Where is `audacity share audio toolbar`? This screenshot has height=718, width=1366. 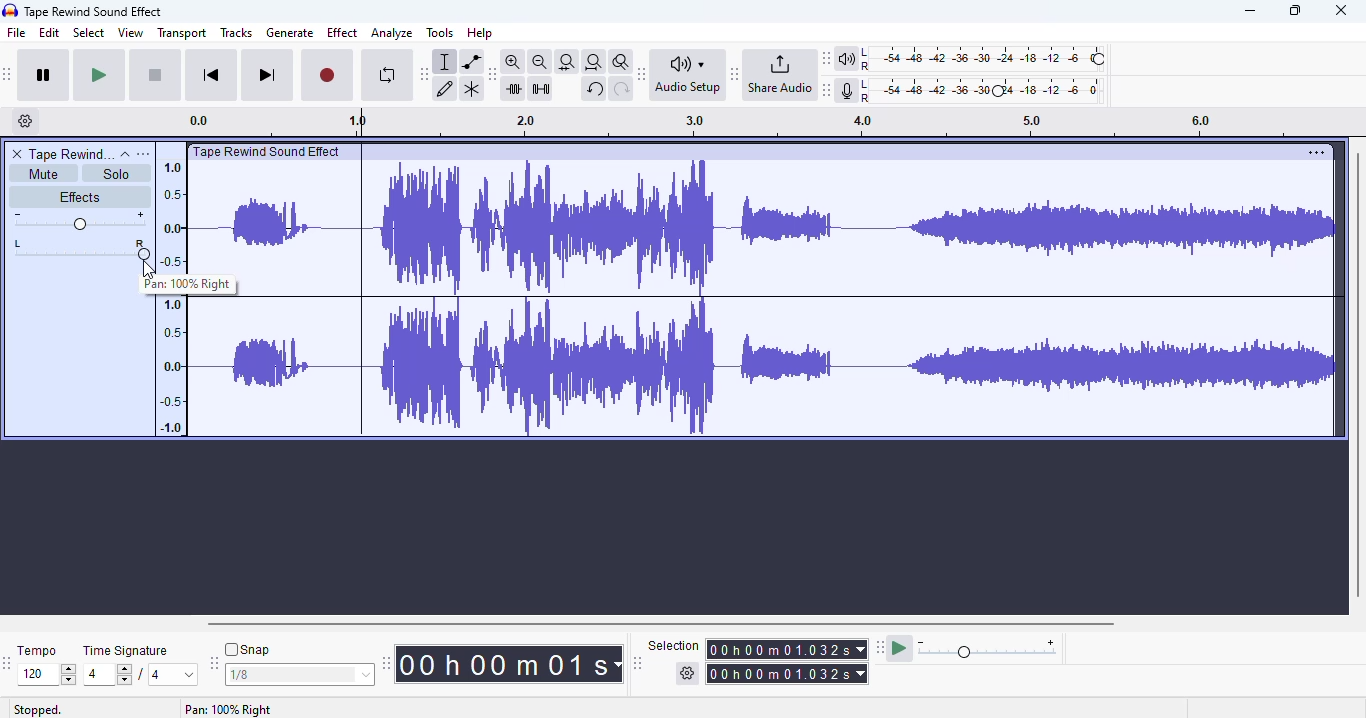
audacity share audio toolbar is located at coordinates (735, 73).